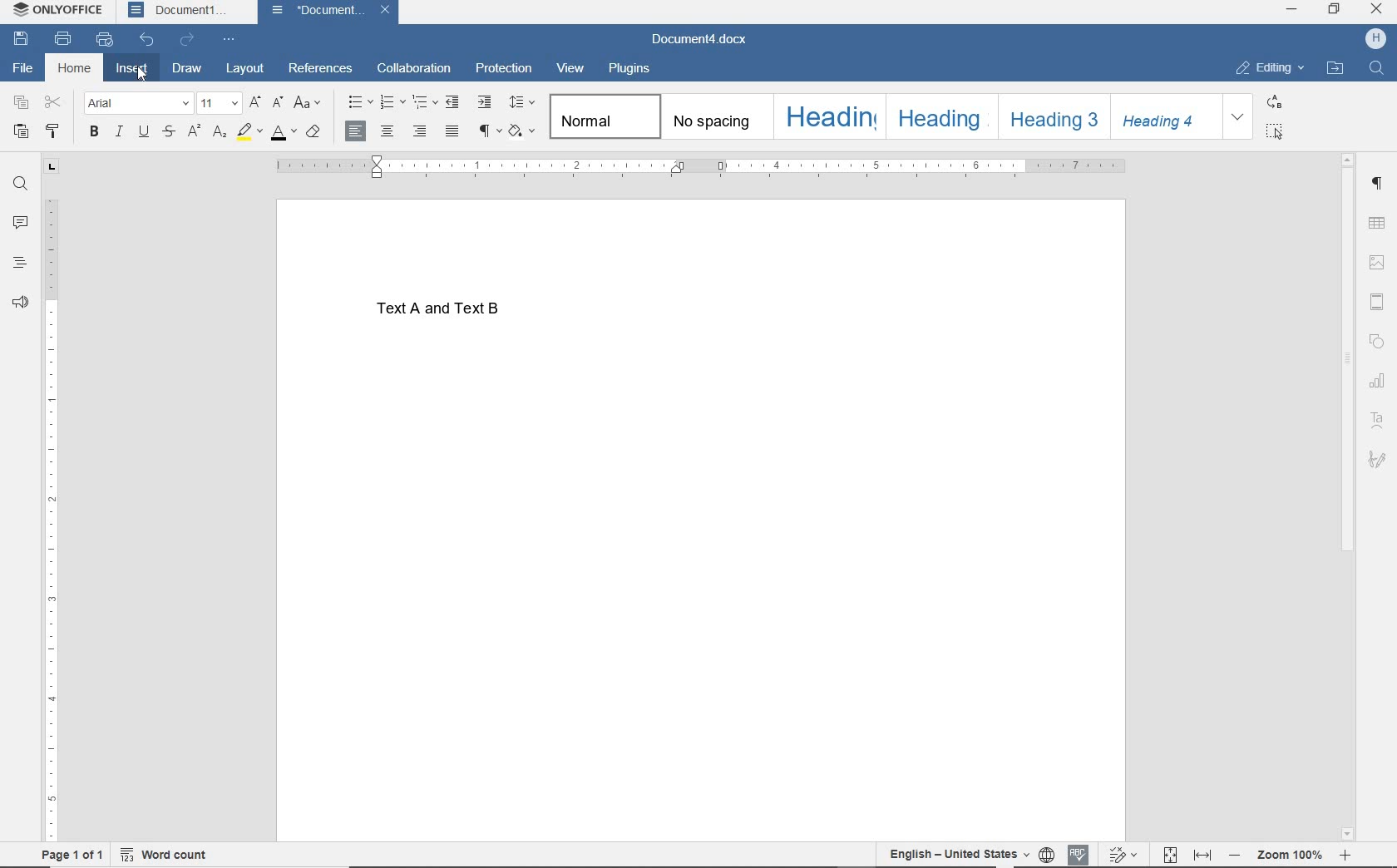 Image resolution: width=1397 pixels, height=868 pixels. I want to click on SET DOCUMENT LANGUAGE, so click(1046, 852).